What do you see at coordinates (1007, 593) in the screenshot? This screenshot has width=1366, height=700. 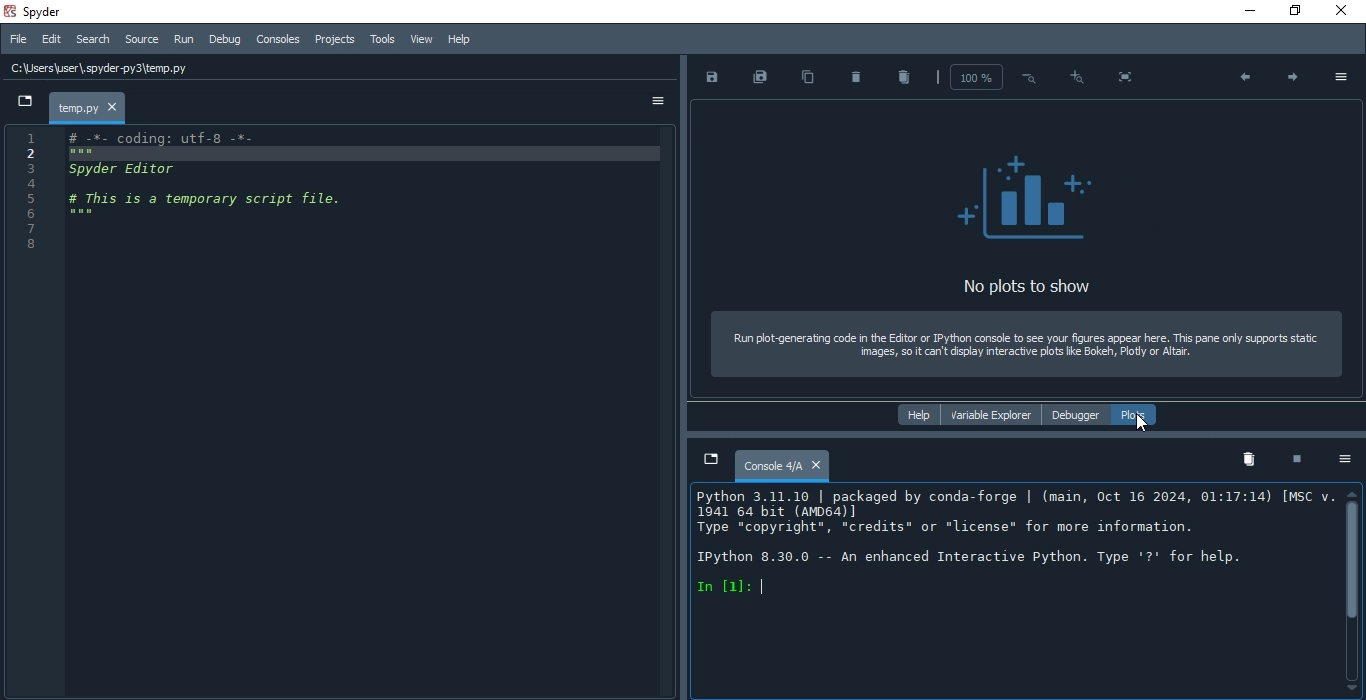 I see `ipython console pane` at bounding box center [1007, 593].